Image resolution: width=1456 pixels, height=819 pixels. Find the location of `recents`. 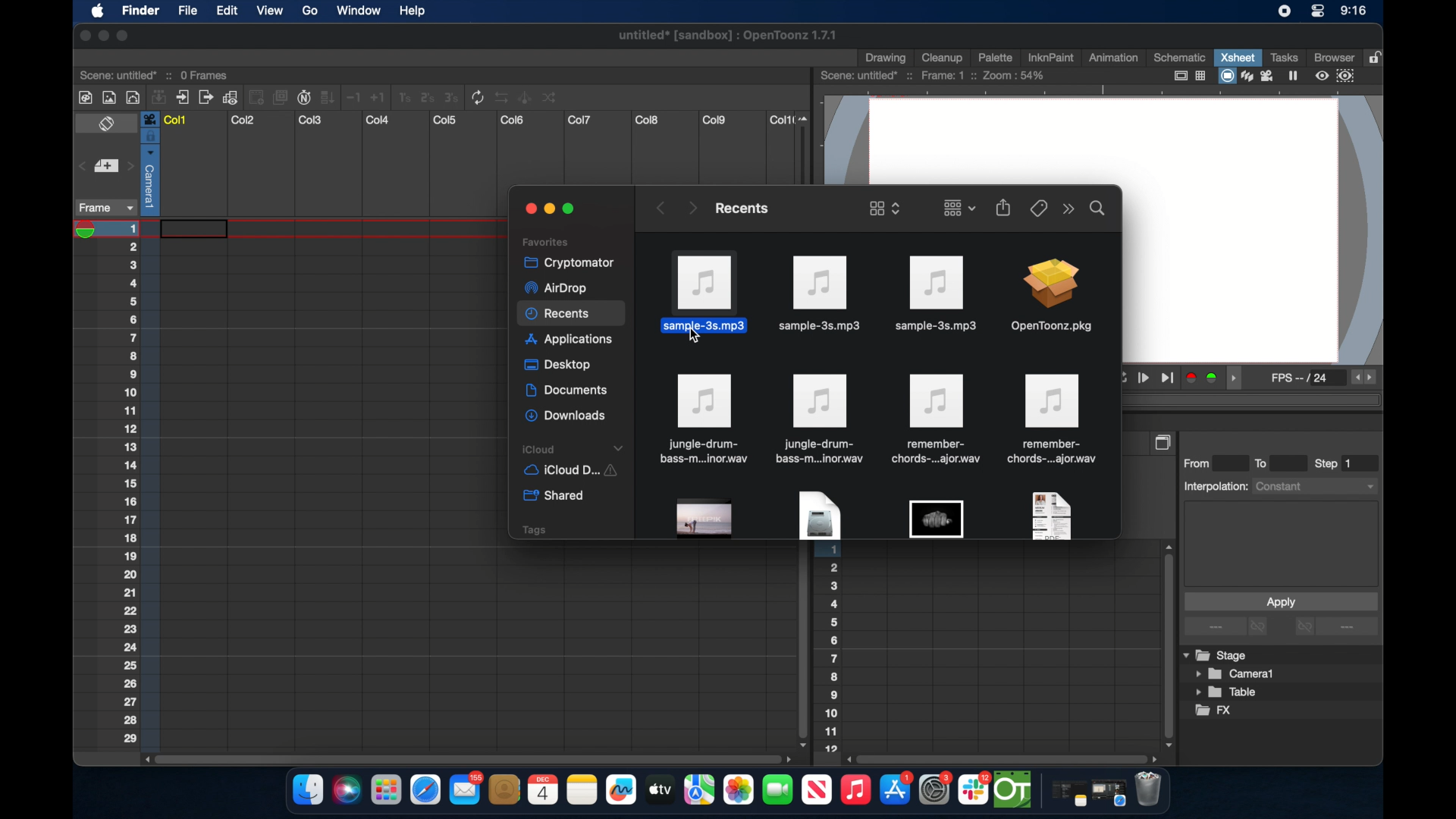

recents is located at coordinates (572, 315).